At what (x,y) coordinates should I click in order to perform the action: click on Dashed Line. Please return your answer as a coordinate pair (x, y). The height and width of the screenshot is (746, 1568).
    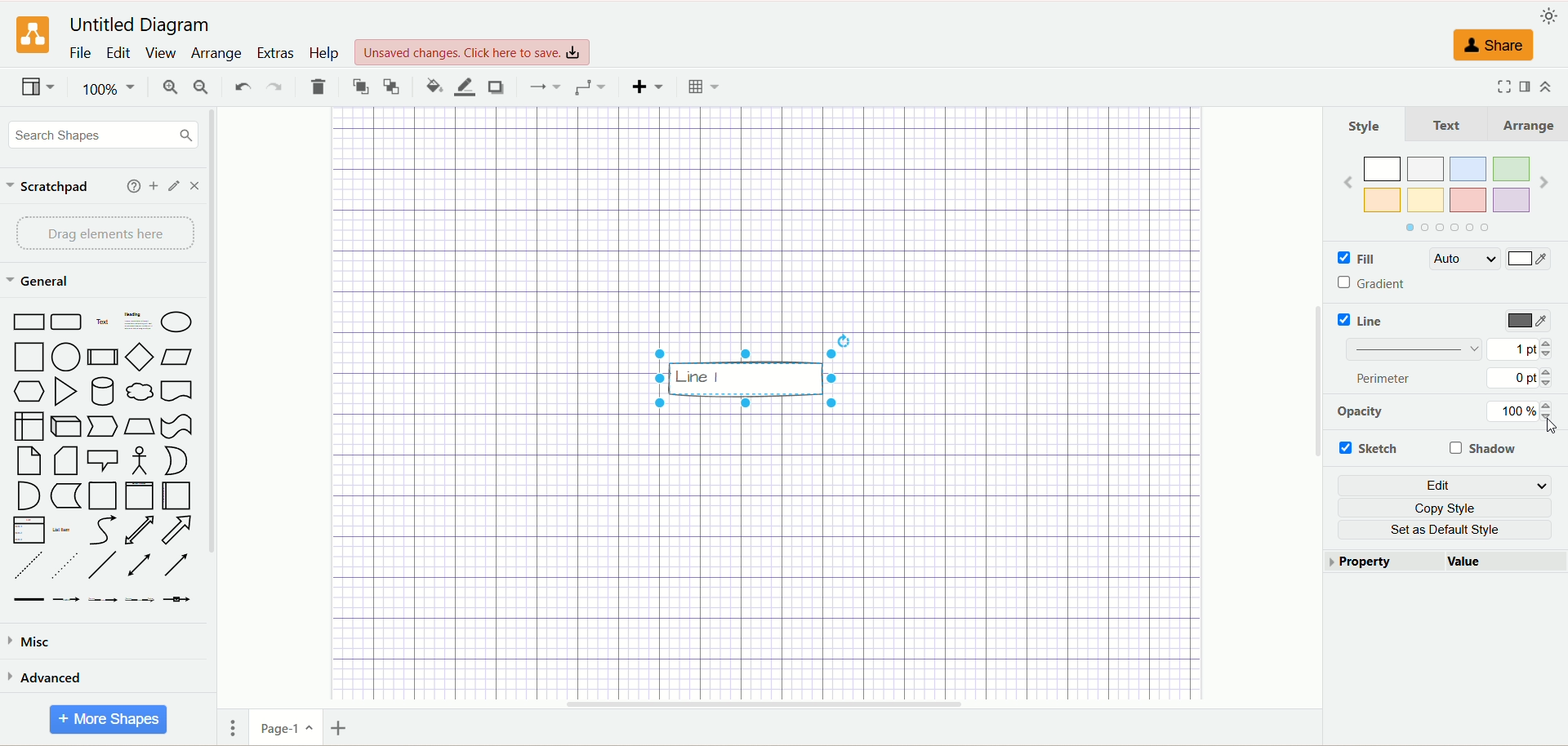
    Looking at the image, I should click on (28, 565).